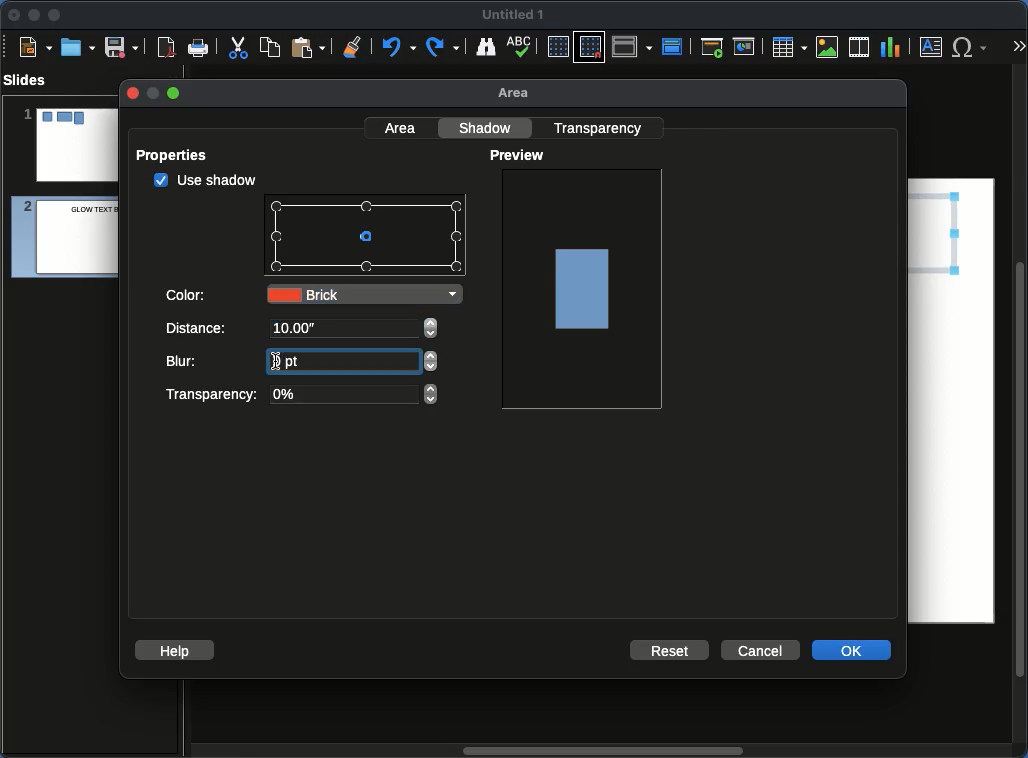  What do you see at coordinates (31, 80) in the screenshot?
I see `Slides` at bounding box center [31, 80].